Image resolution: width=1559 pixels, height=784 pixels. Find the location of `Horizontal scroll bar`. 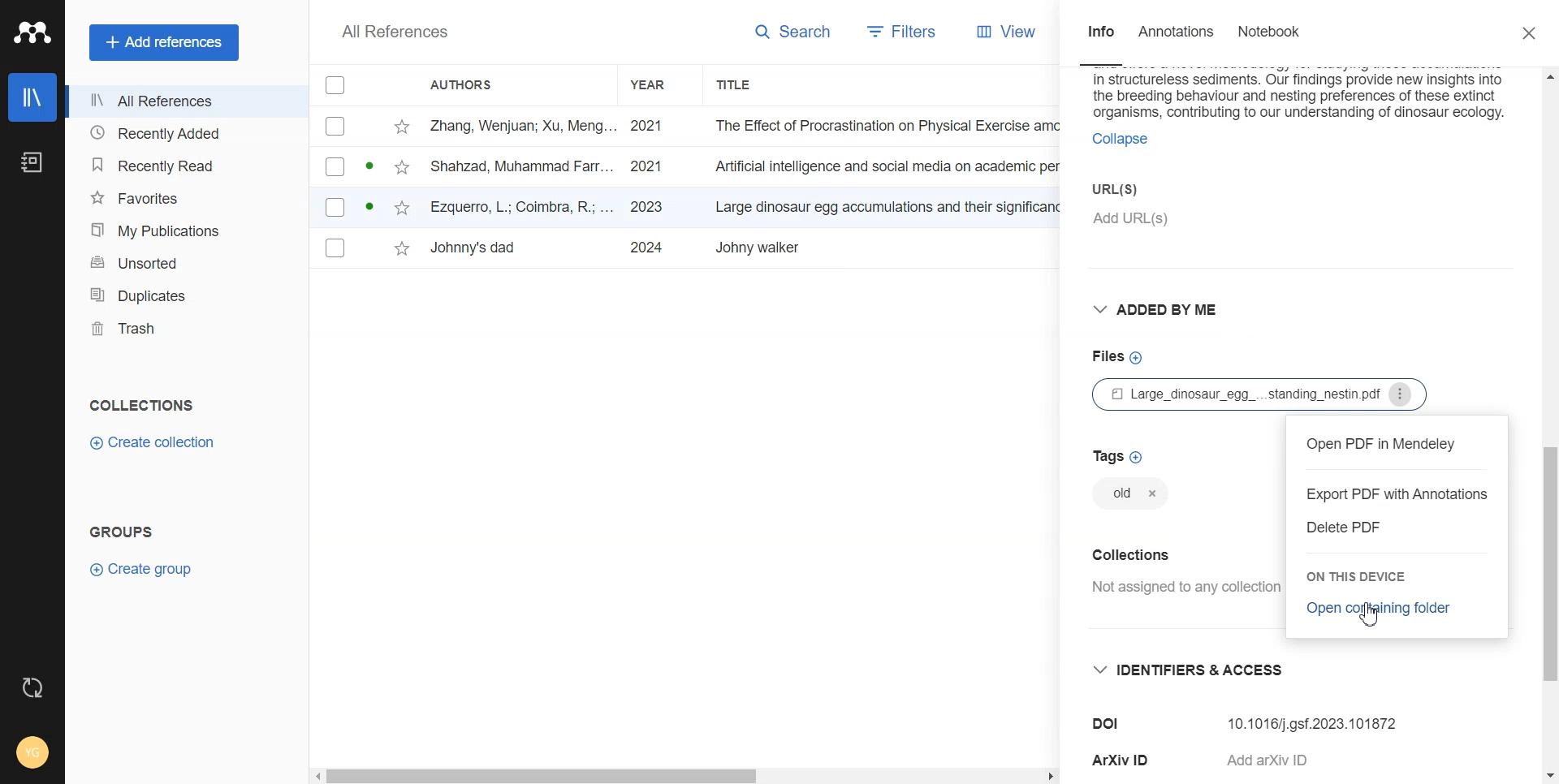

Horizontal scroll bar is located at coordinates (543, 778).